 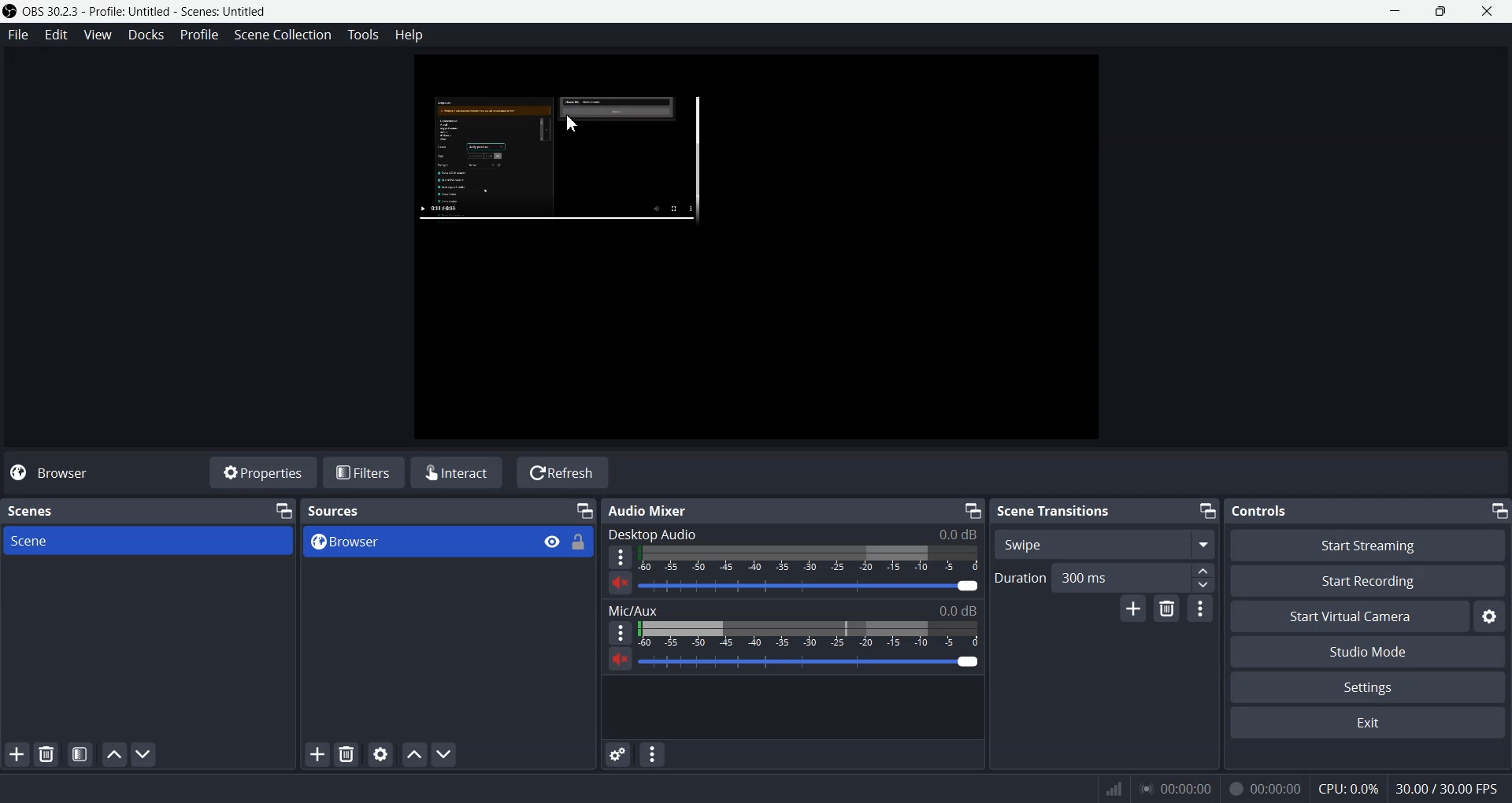 I want to click on Add Scene, so click(x=17, y=755).